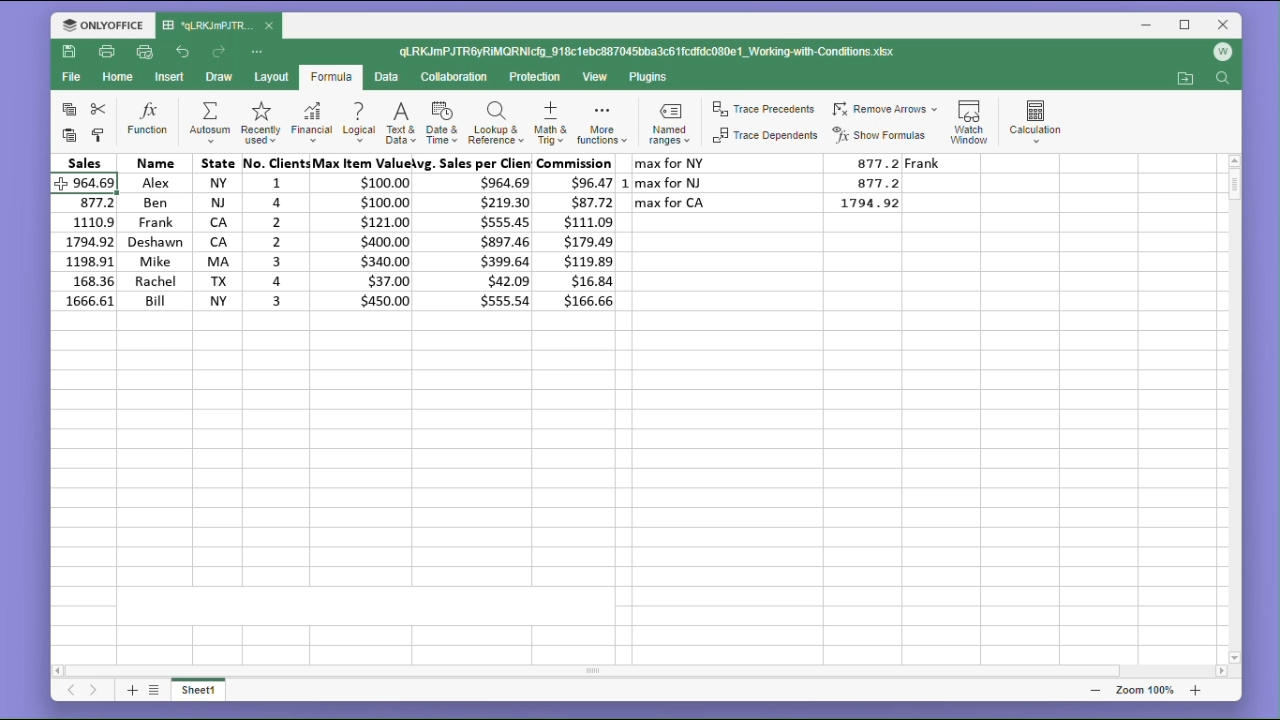  What do you see at coordinates (637, 505) in the screenshot?
I see `empty cells` at bounding box center [637, 505].